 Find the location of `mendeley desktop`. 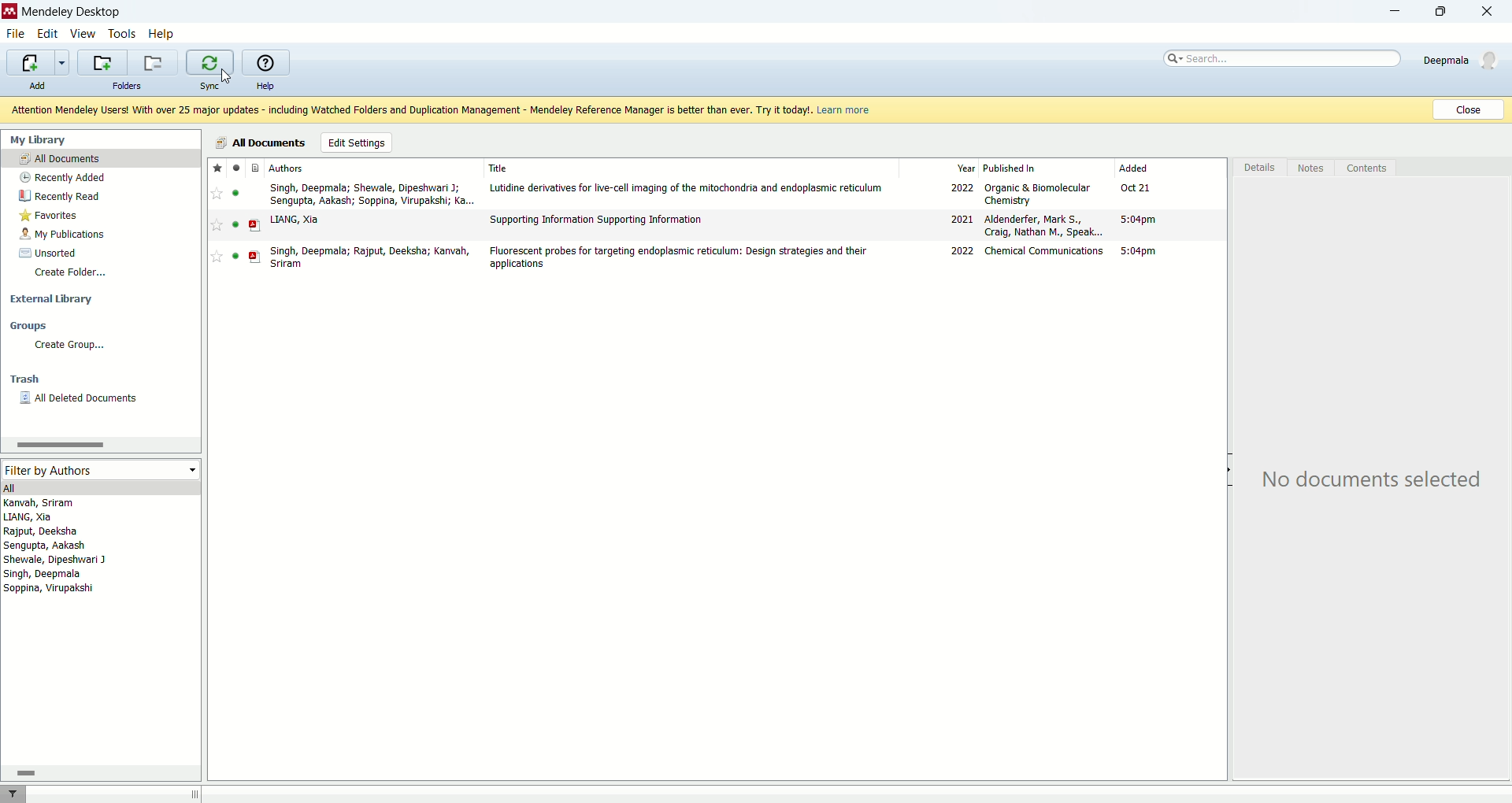

mendeley desktop is located at coordinates (70, 12).